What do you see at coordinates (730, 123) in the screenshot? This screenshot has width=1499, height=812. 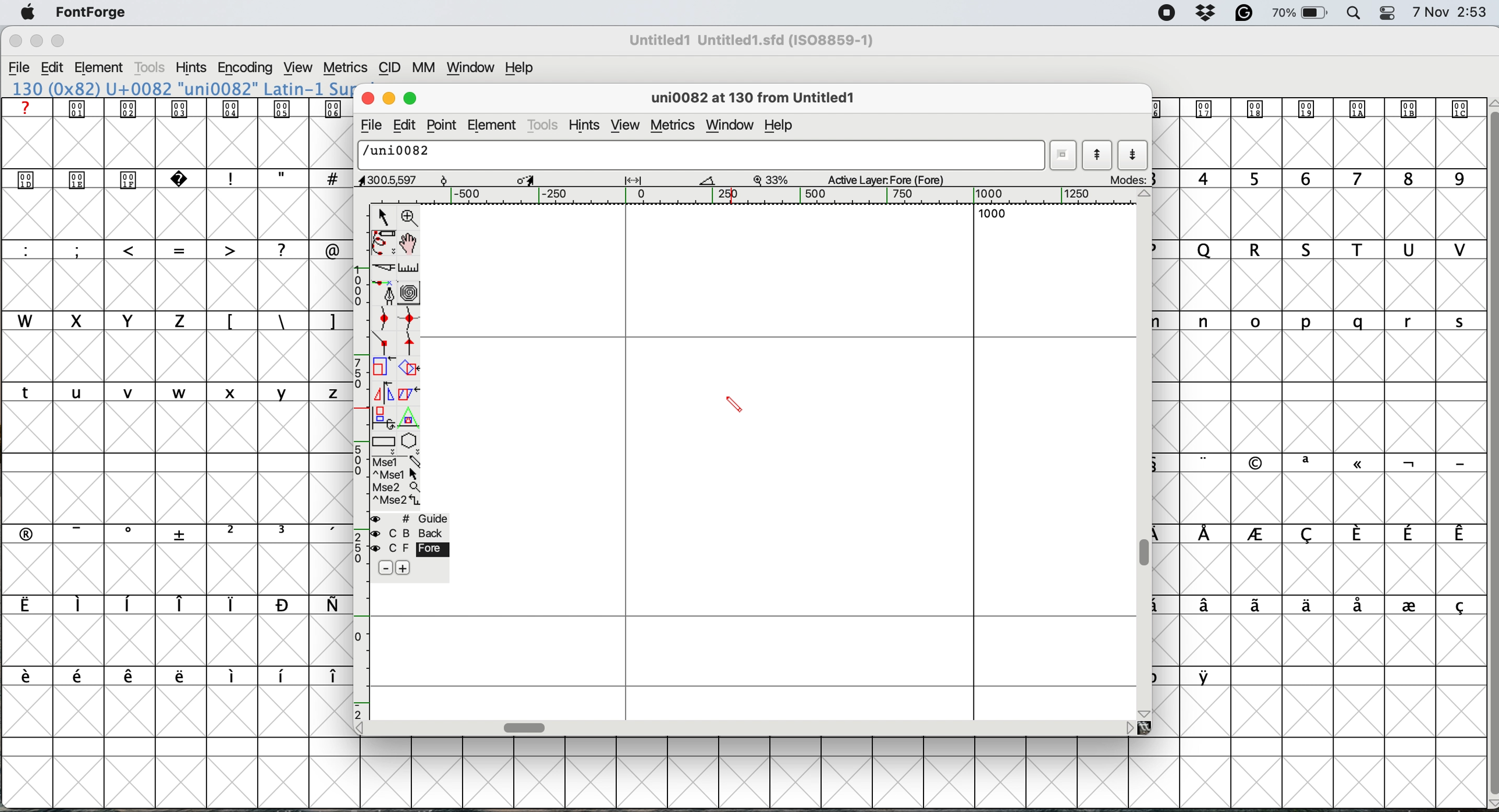 I see `window` at bounding box center [730, 123].